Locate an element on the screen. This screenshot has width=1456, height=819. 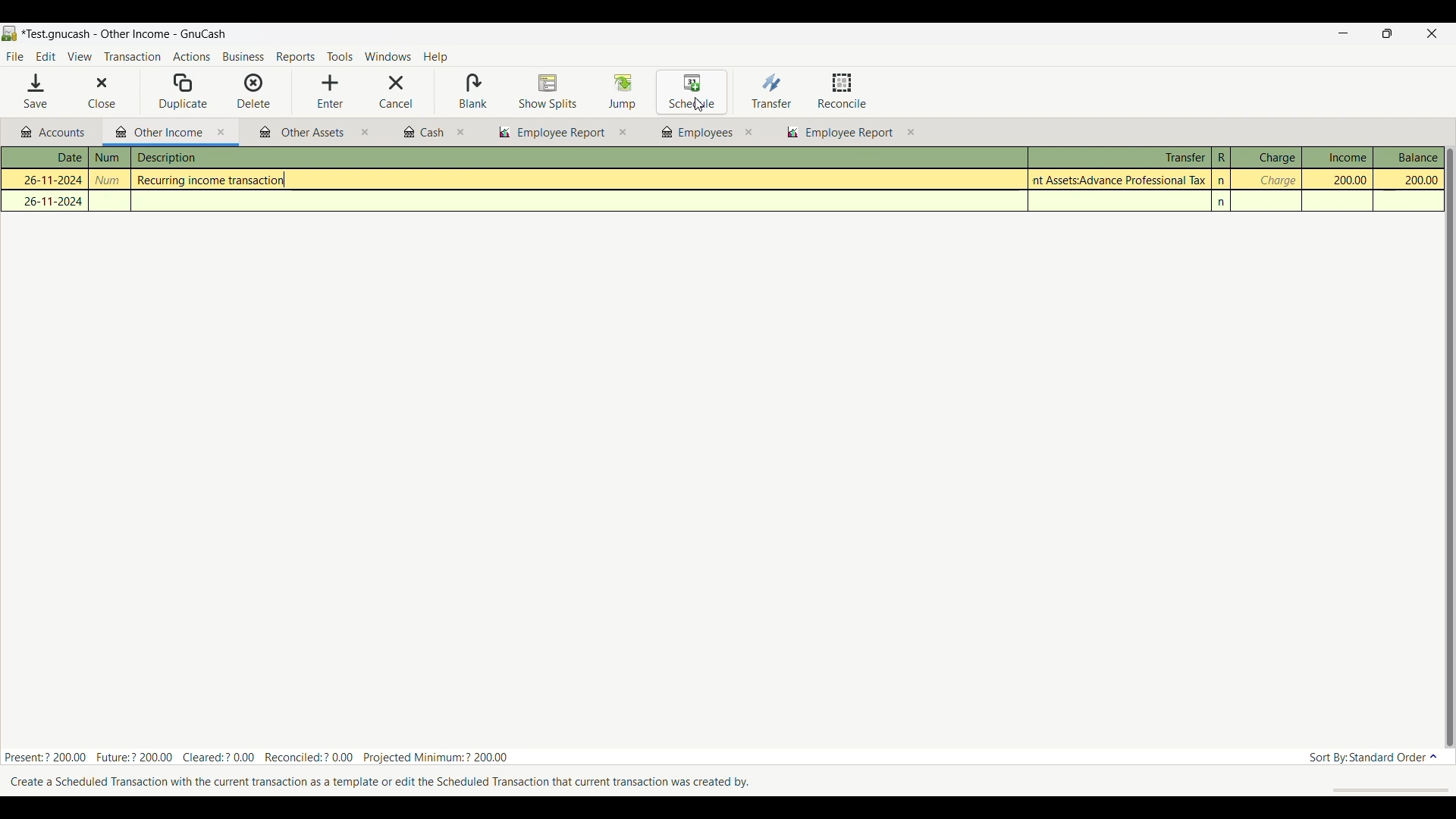
employee report is located at coordinates (848, 134).